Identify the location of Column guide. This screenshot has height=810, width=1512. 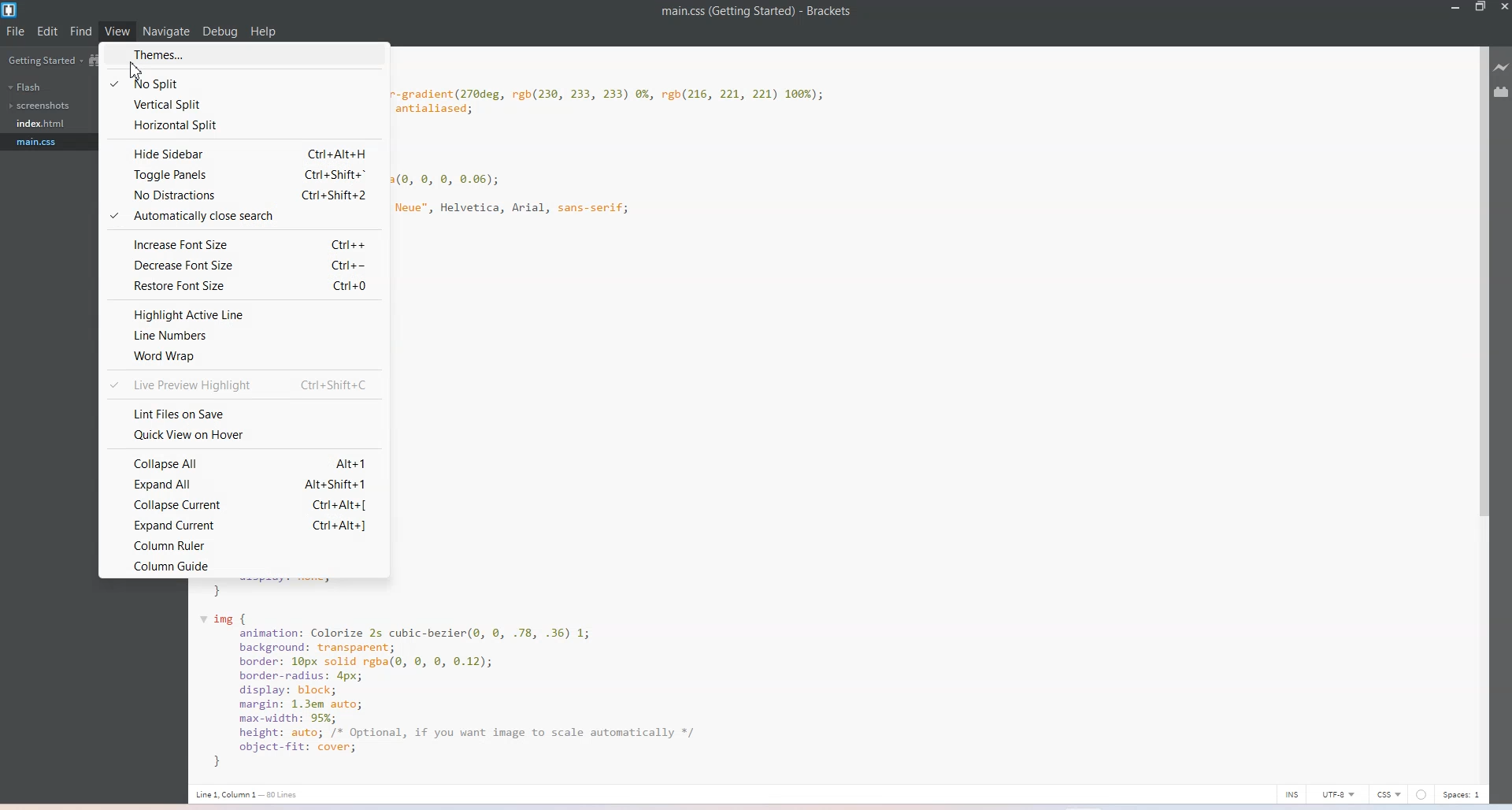
(246, 566).